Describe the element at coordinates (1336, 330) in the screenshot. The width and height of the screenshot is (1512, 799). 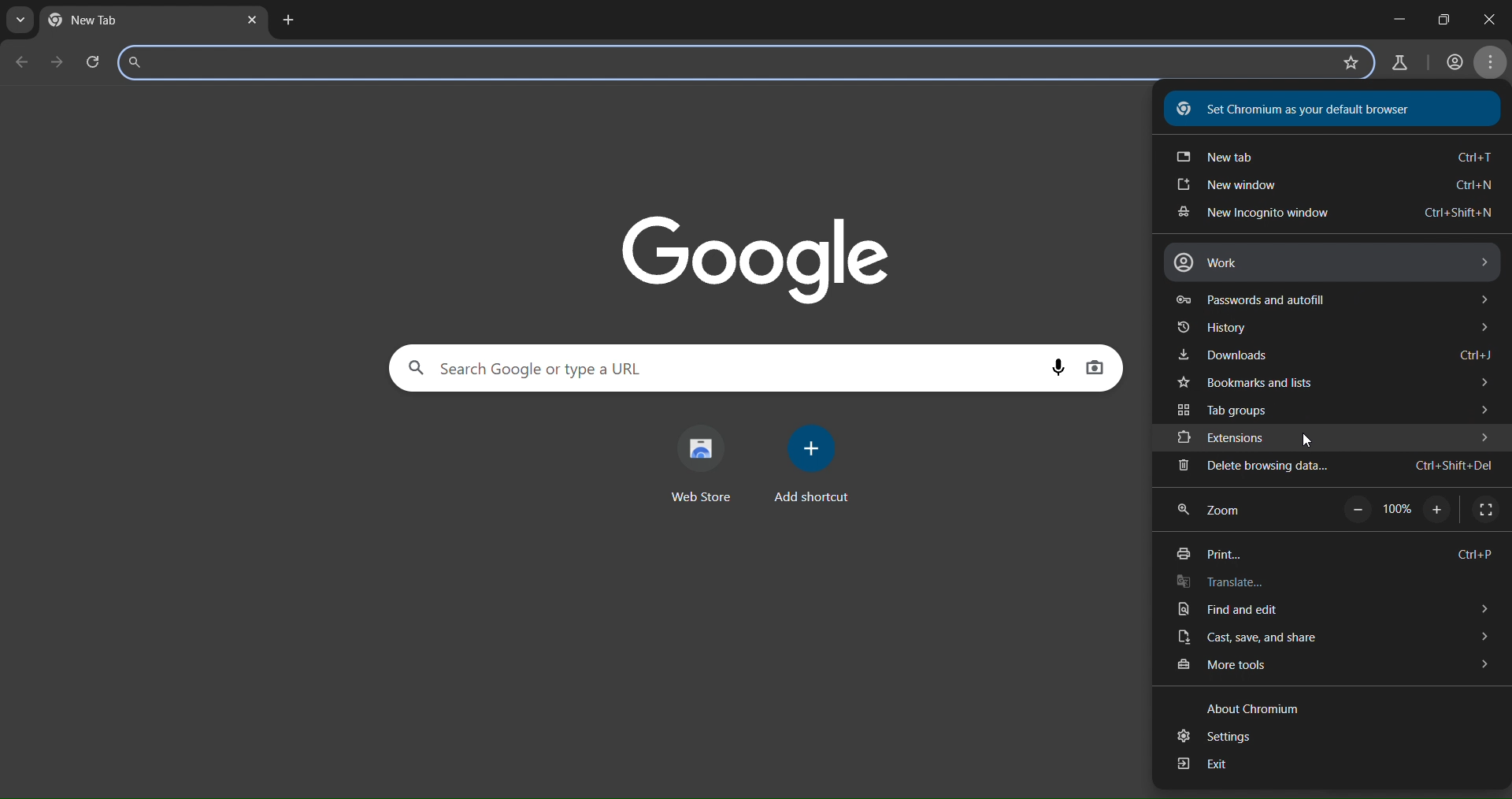
I see `history` at that location.